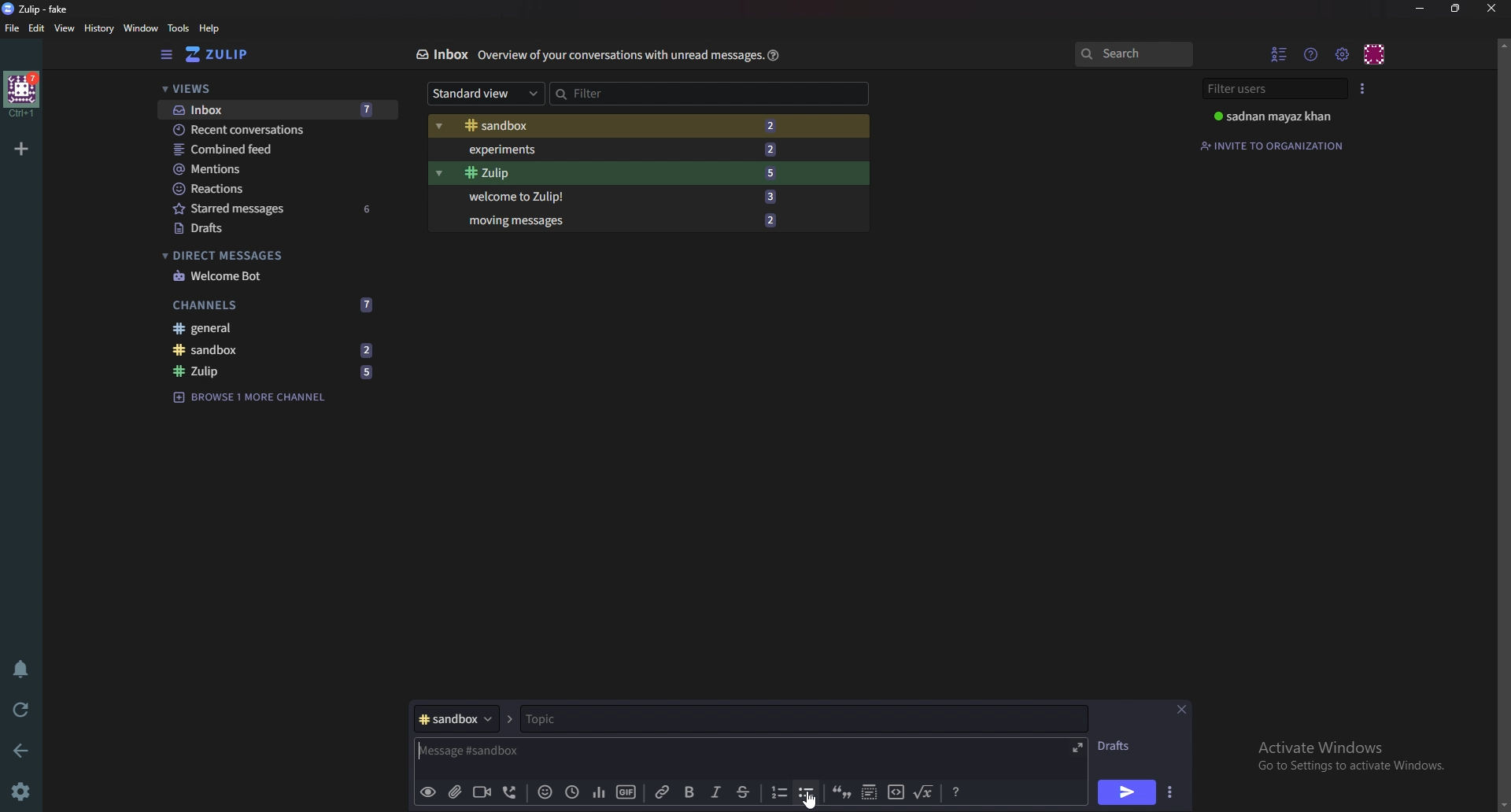 This screenshot has width=1511, height=812. I want to click on Numbered list, so click(778, 792).